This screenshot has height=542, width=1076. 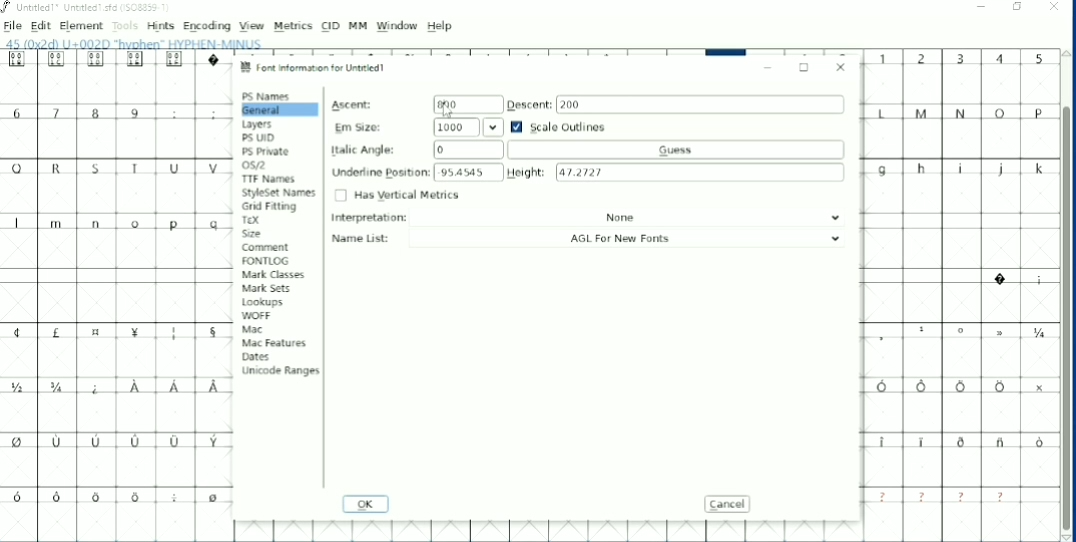 What do you see at coordinates (141, 43) in the screenshot?
I see `Letter info` at bounding box center [141, 43].